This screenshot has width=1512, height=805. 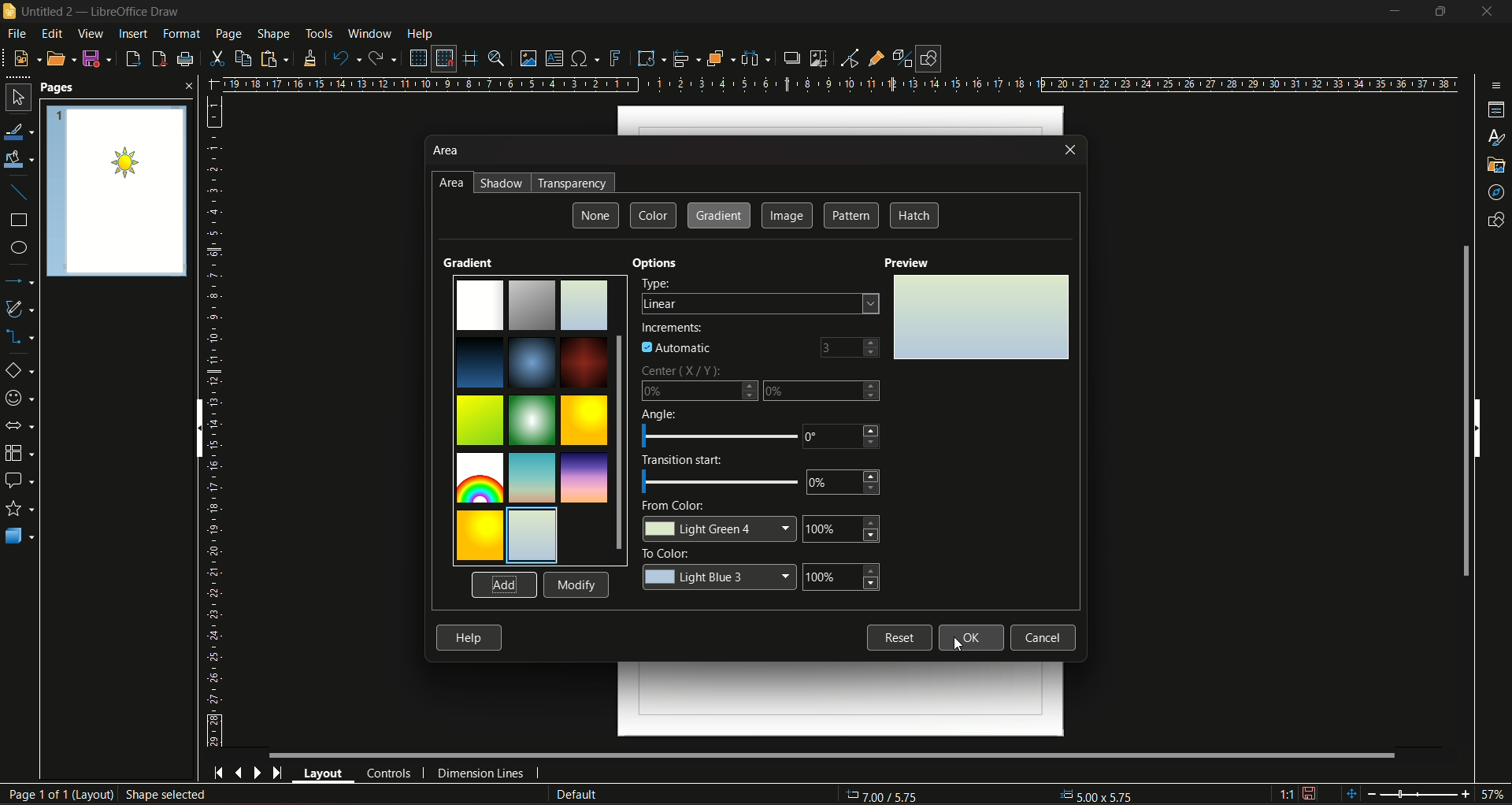 I want to click on ok, so click(x=972, y=638).